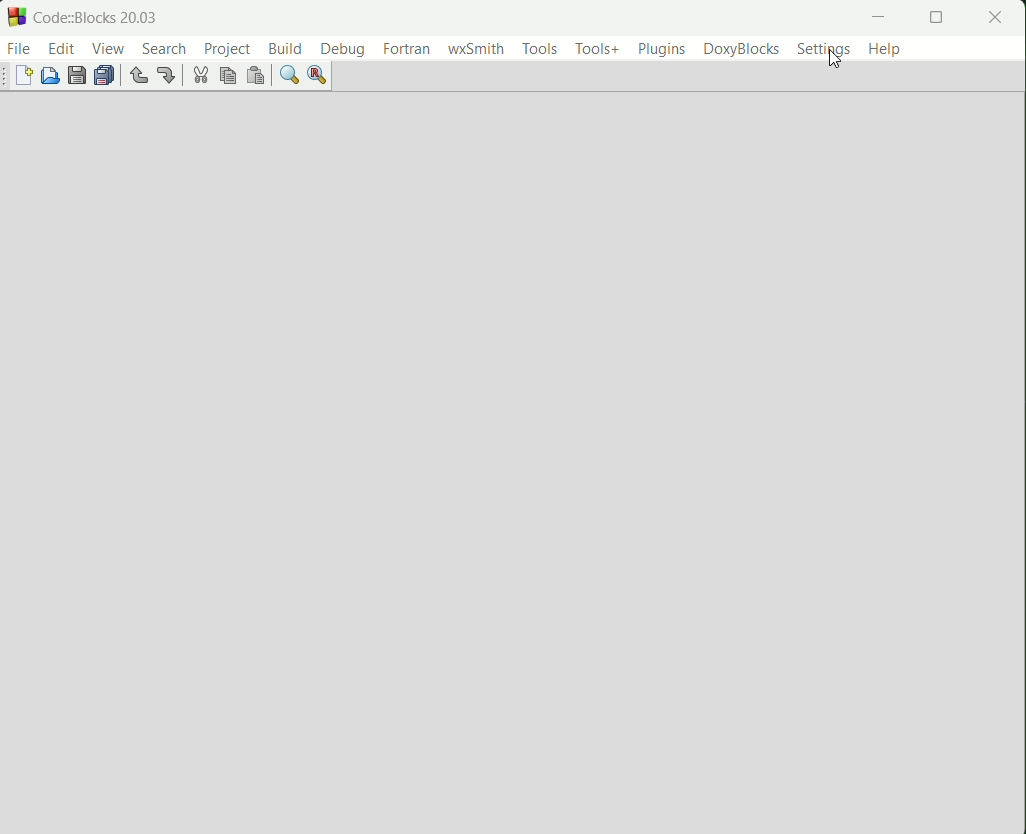 The width and height of the screenshot is (1026, 834). Describe the element at coordinates (596, 49) in the screenshot. I see `tools+` at that location.